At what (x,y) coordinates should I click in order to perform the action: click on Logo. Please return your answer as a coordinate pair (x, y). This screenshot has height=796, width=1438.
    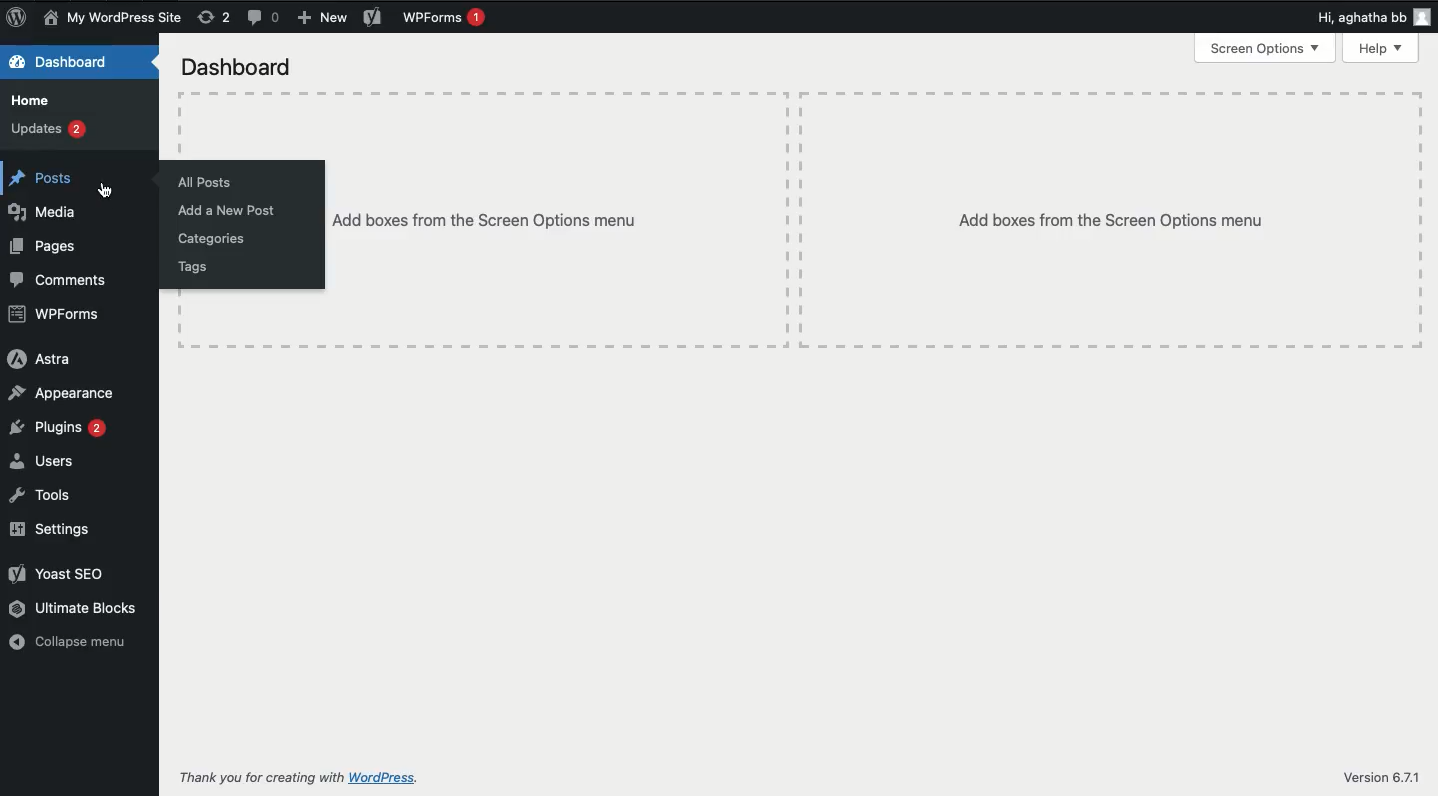
    Looking at the image, I should click on (16, 17).